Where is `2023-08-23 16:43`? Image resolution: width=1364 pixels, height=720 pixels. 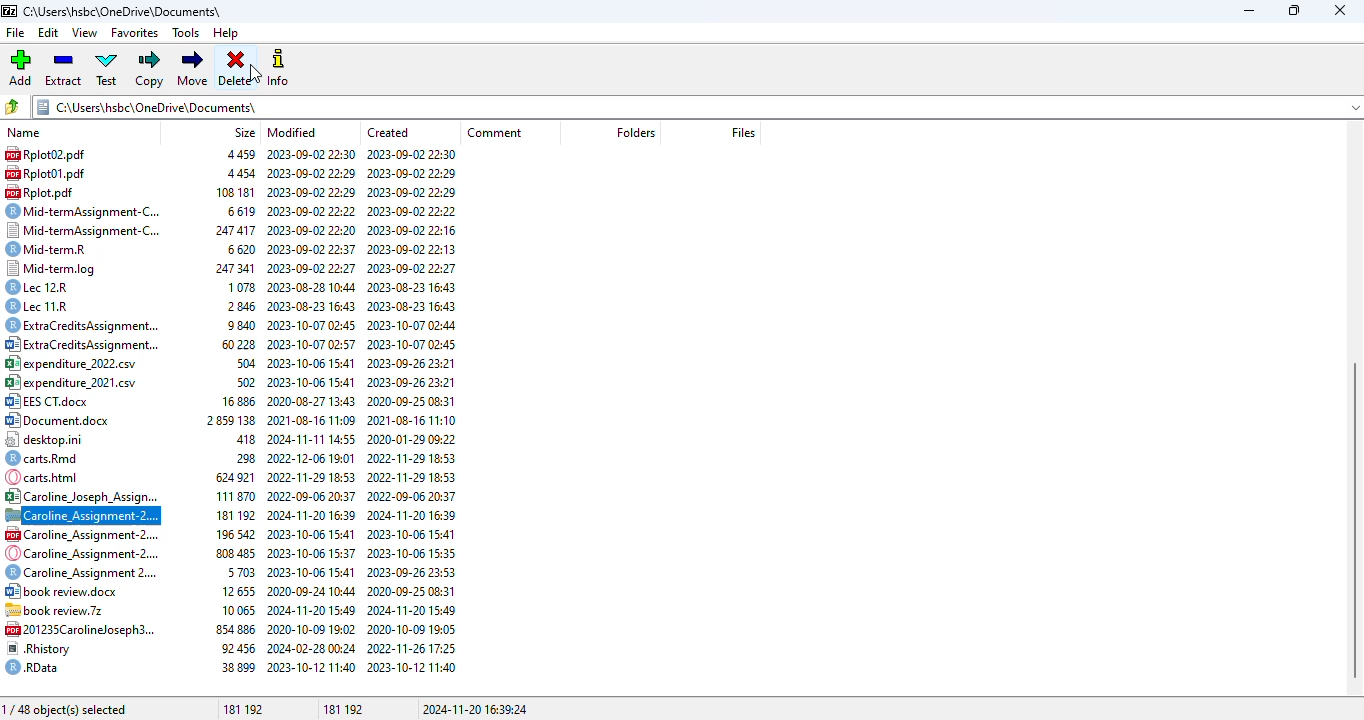
2023-08-23 16:43 is located at coordinates (312, 306).